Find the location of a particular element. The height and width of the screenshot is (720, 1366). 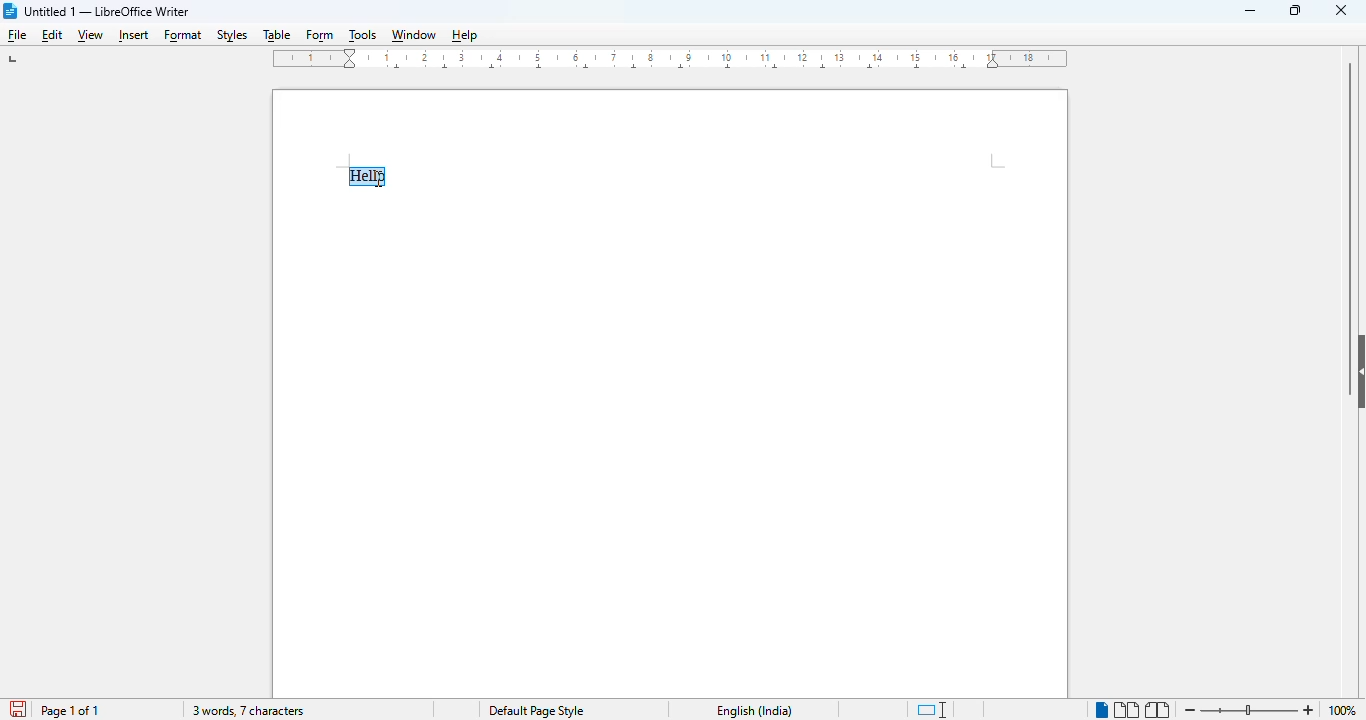

zoom in is located at coordinates (1308, 711).